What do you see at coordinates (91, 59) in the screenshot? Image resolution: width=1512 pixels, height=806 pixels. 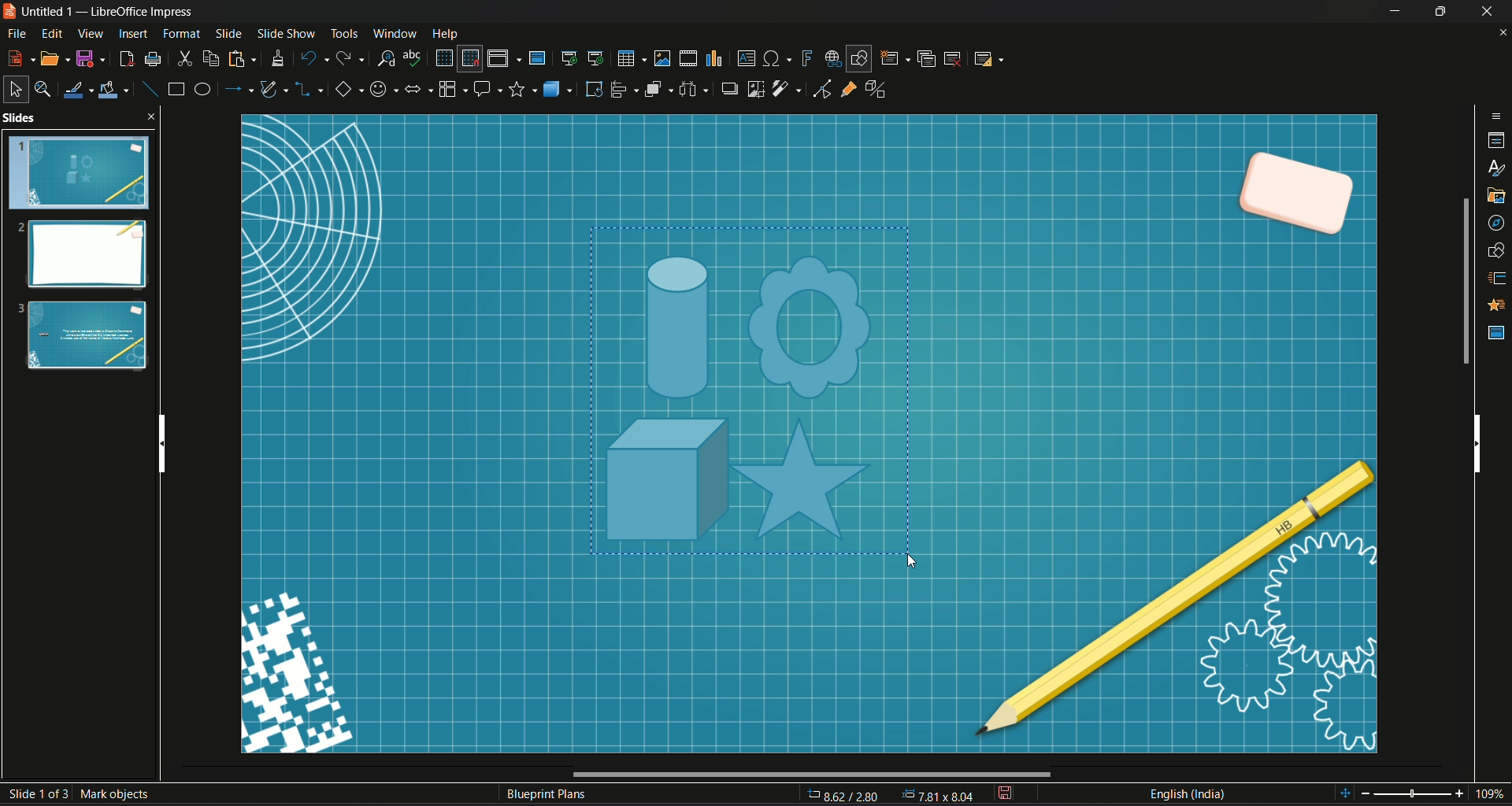 I see `Save` at bounding box center [91, 59].